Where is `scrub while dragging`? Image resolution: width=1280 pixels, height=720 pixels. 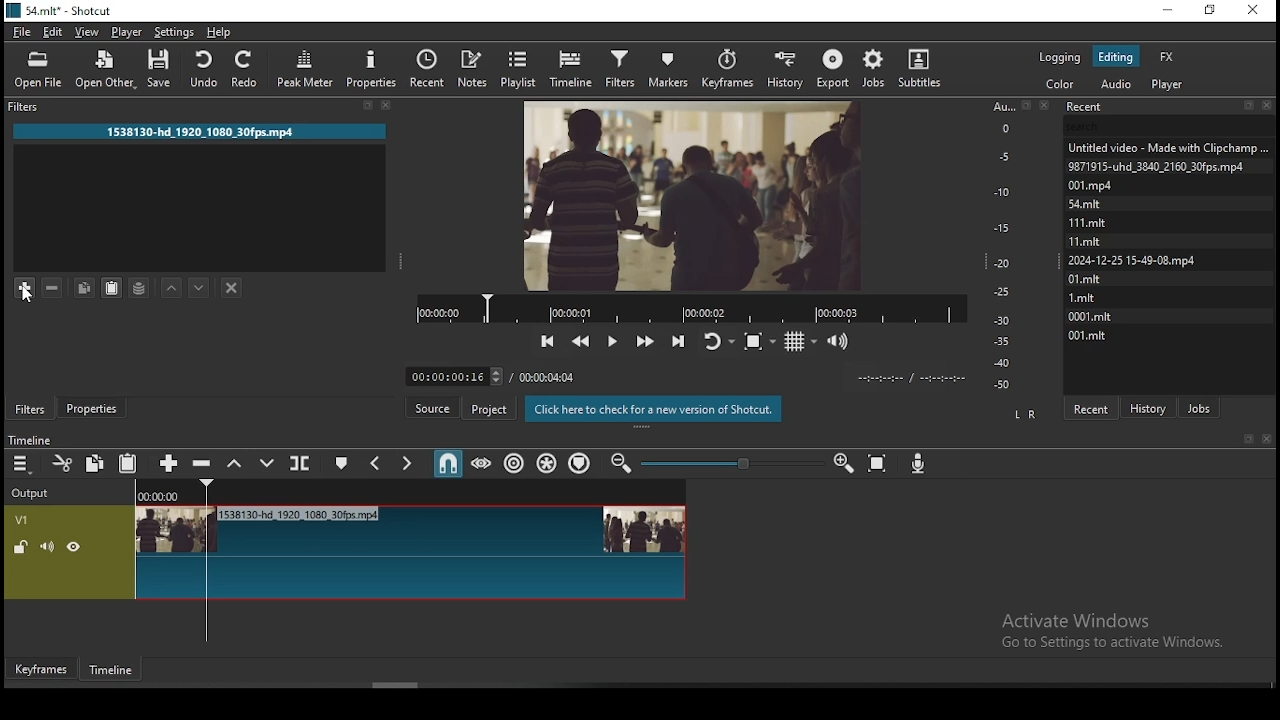
scrub while dragging is located at coordinates (479, 463).